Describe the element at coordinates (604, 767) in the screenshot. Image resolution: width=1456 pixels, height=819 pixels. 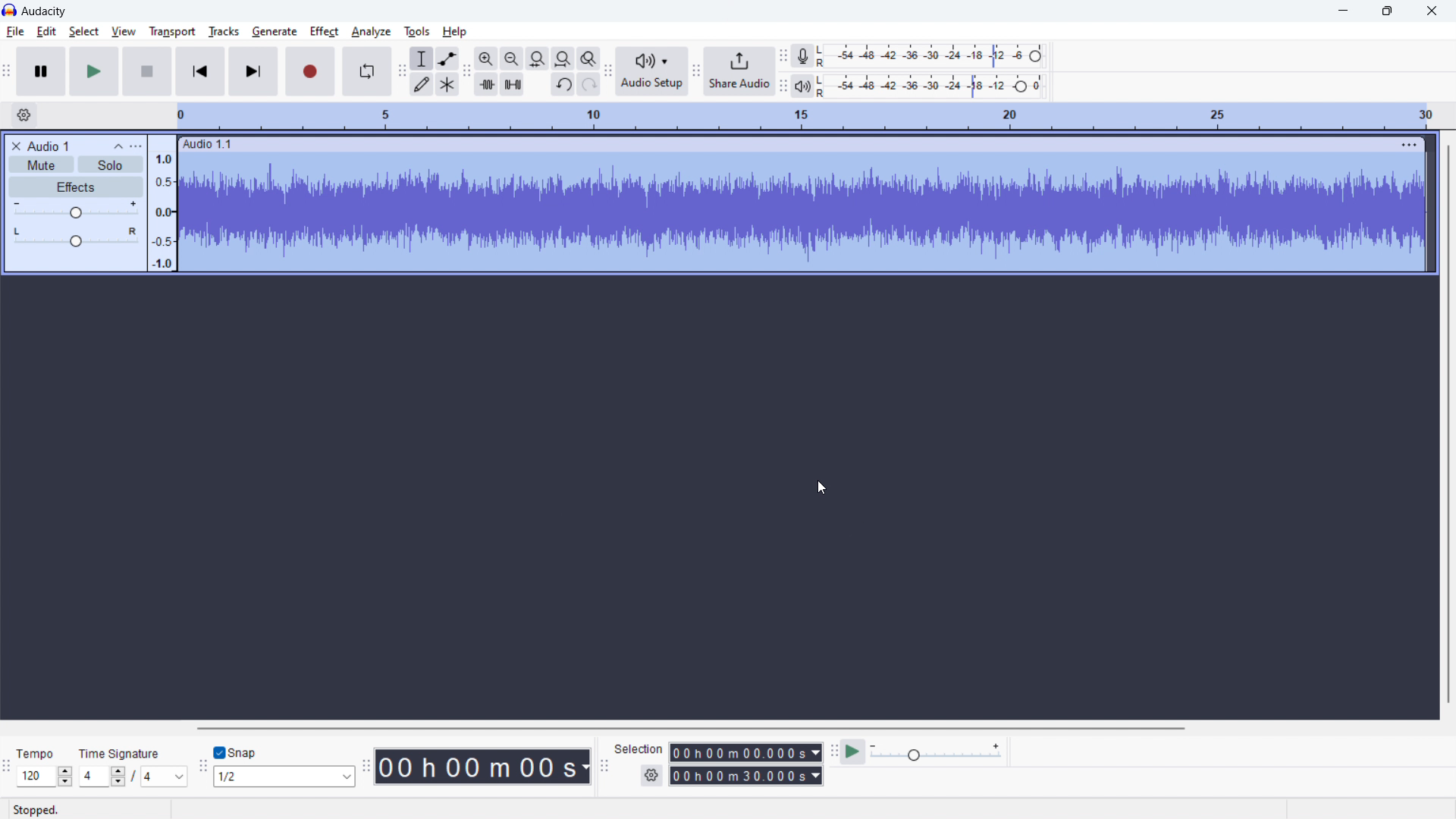
I see `selection toolbar` at that location.